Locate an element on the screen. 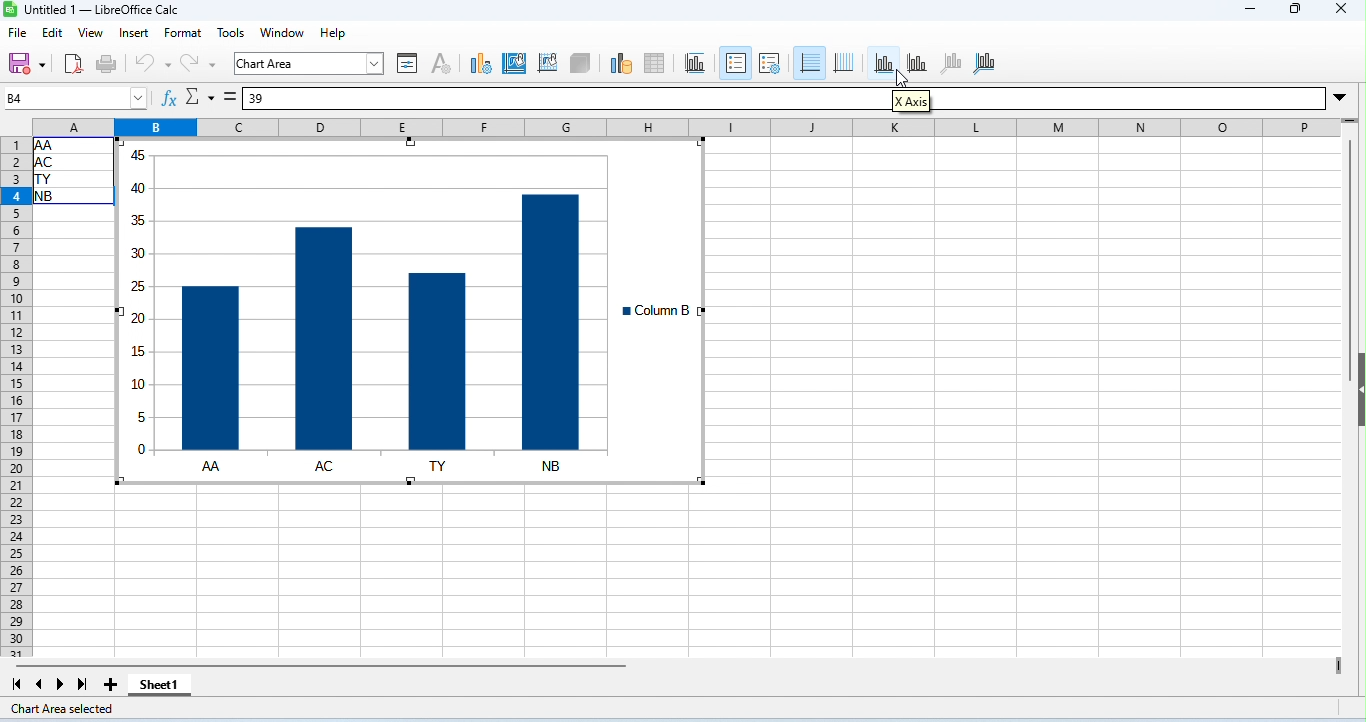 This screenshot has width=1366, height=722. undo is located at coordinates (151, 63).